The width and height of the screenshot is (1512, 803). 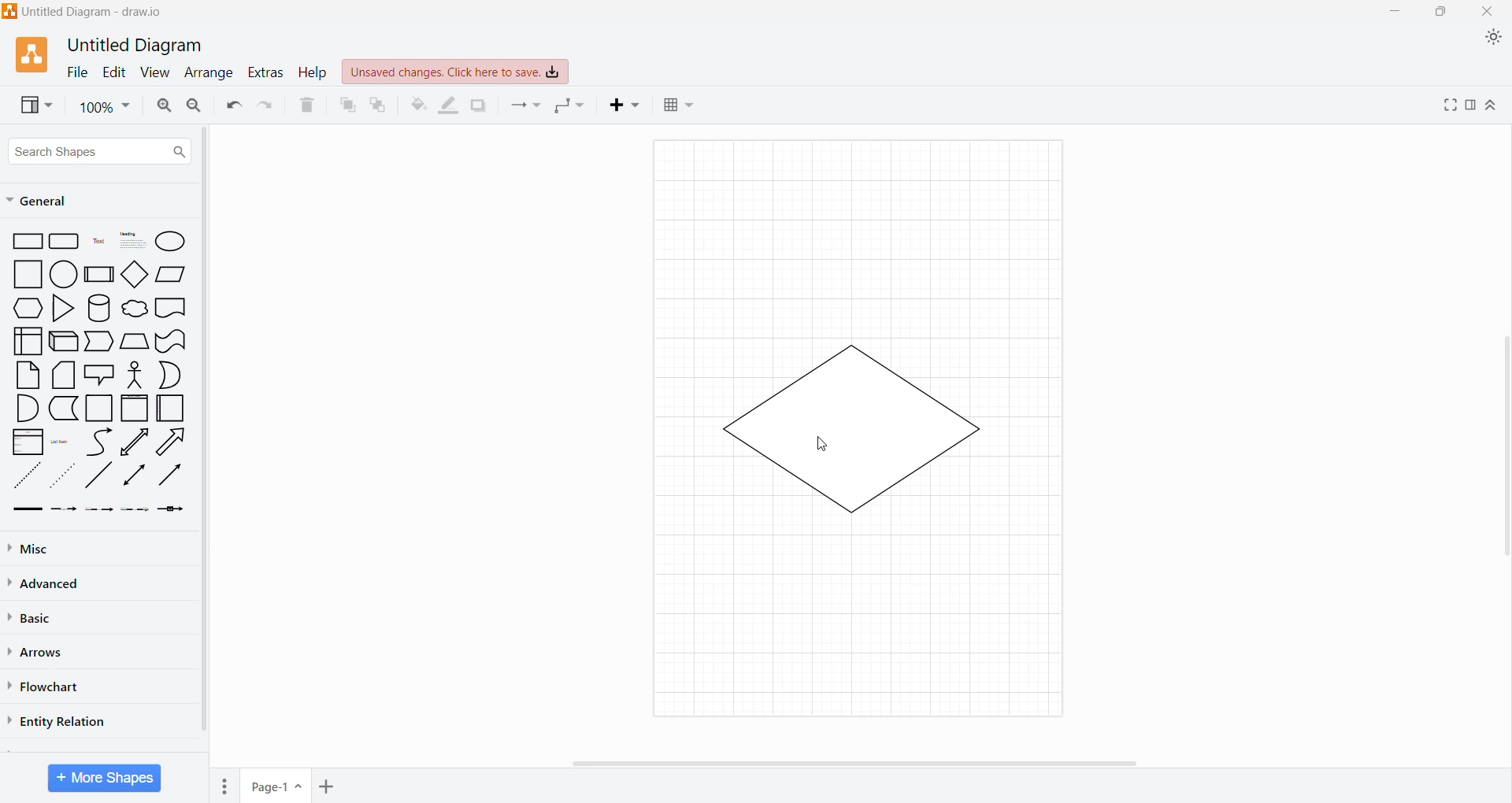 I want to click on Step, so click(x=98, y=342).